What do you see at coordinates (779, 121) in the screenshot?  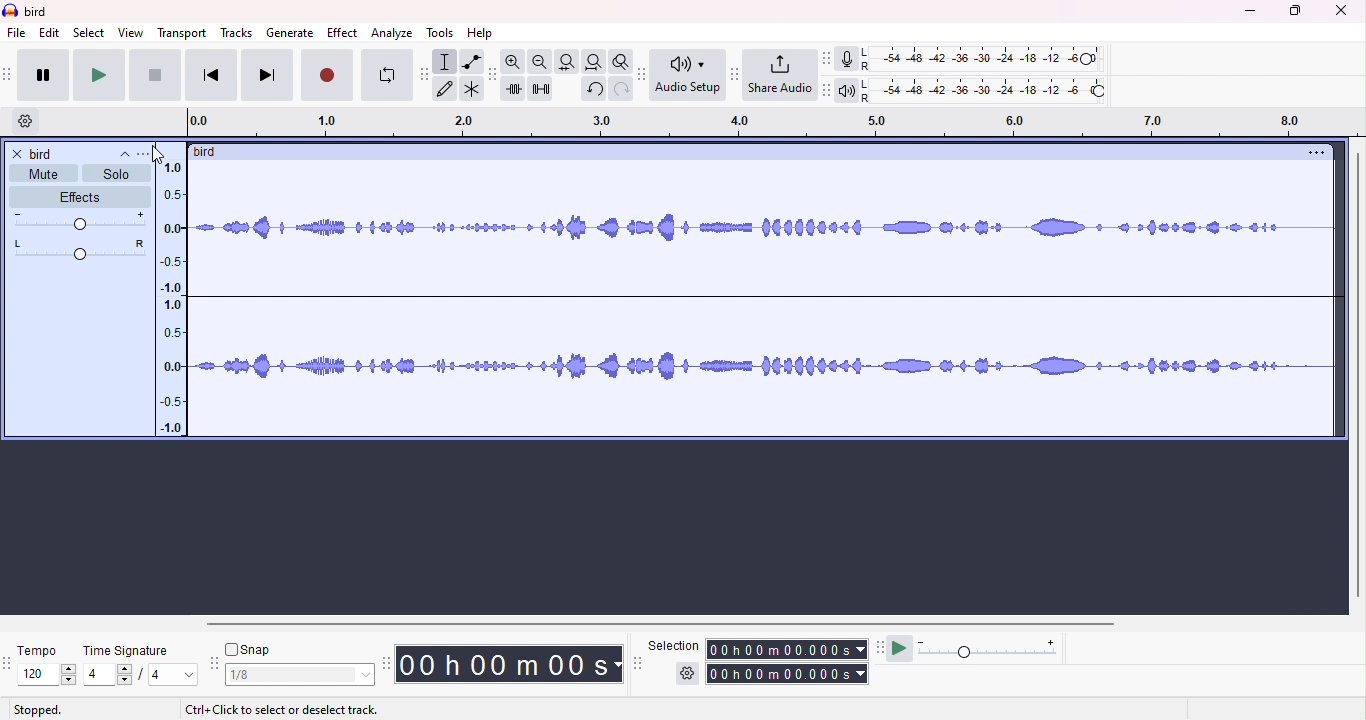 I see `timelin` at bounding box center [779, 121].